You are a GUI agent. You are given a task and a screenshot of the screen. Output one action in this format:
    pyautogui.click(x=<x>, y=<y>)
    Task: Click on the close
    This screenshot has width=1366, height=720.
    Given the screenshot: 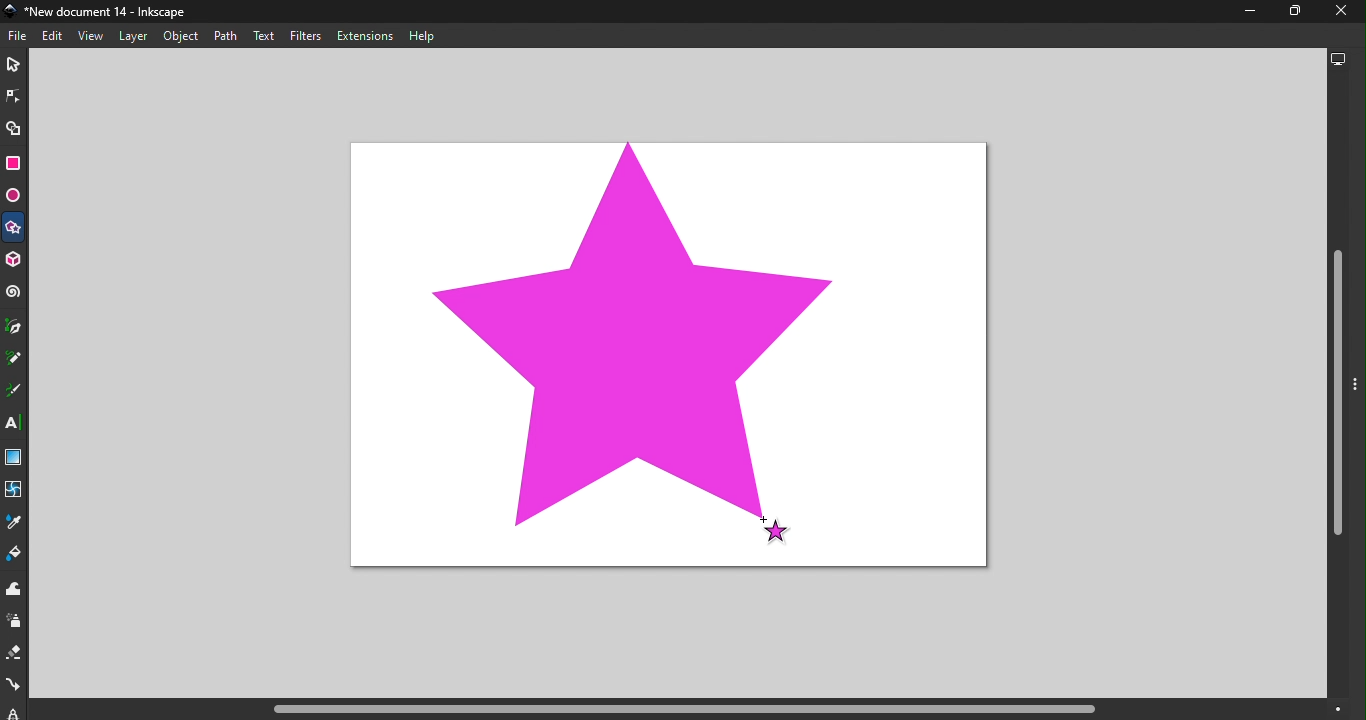 What is the action you would take?
    pyautogui.click(x=1336, y=12)
    